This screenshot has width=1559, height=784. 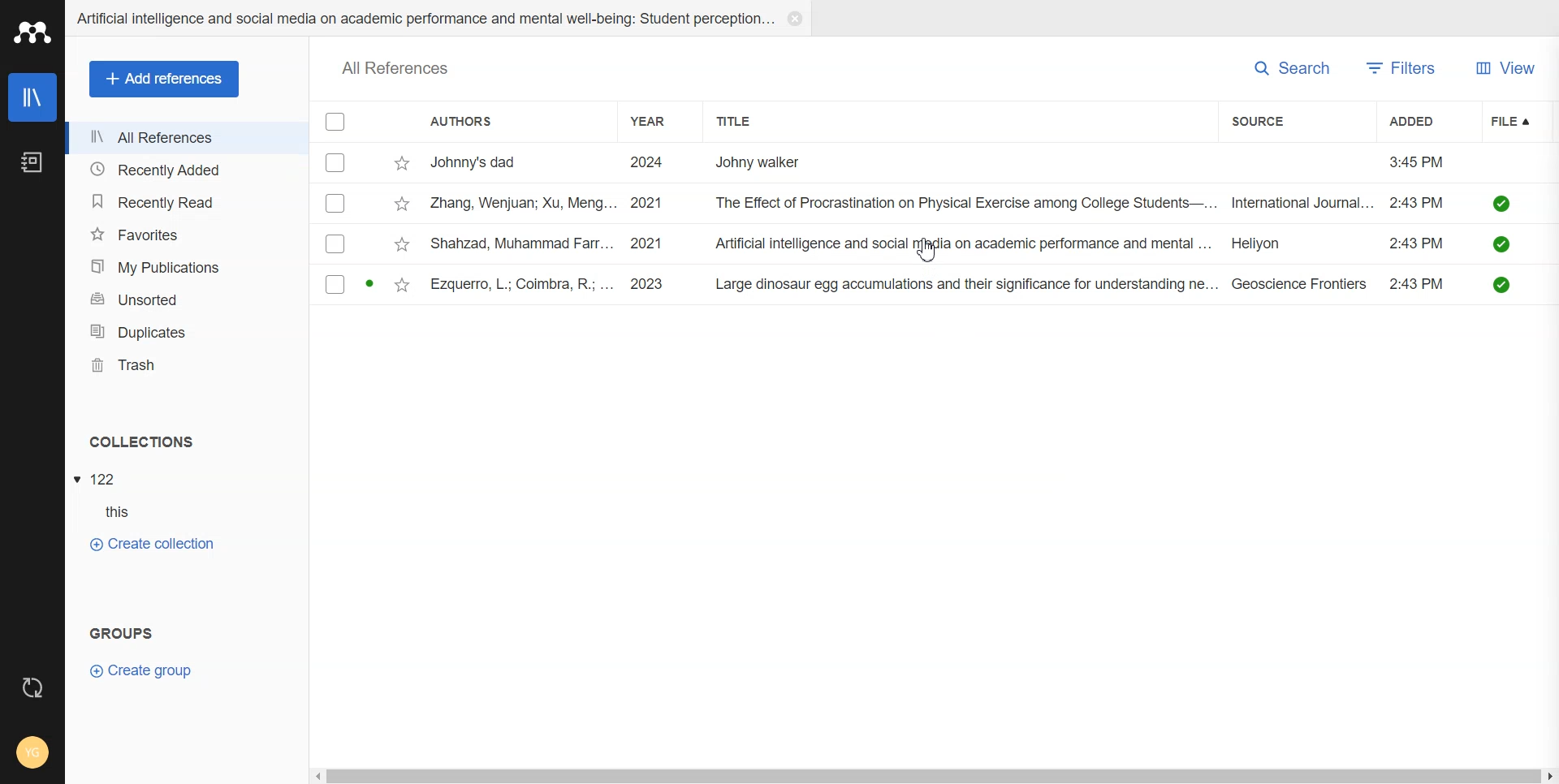 What do you see at coordinates (188, 442) in the screenshot?
I see `Collections` at bounding box center [188, 442].